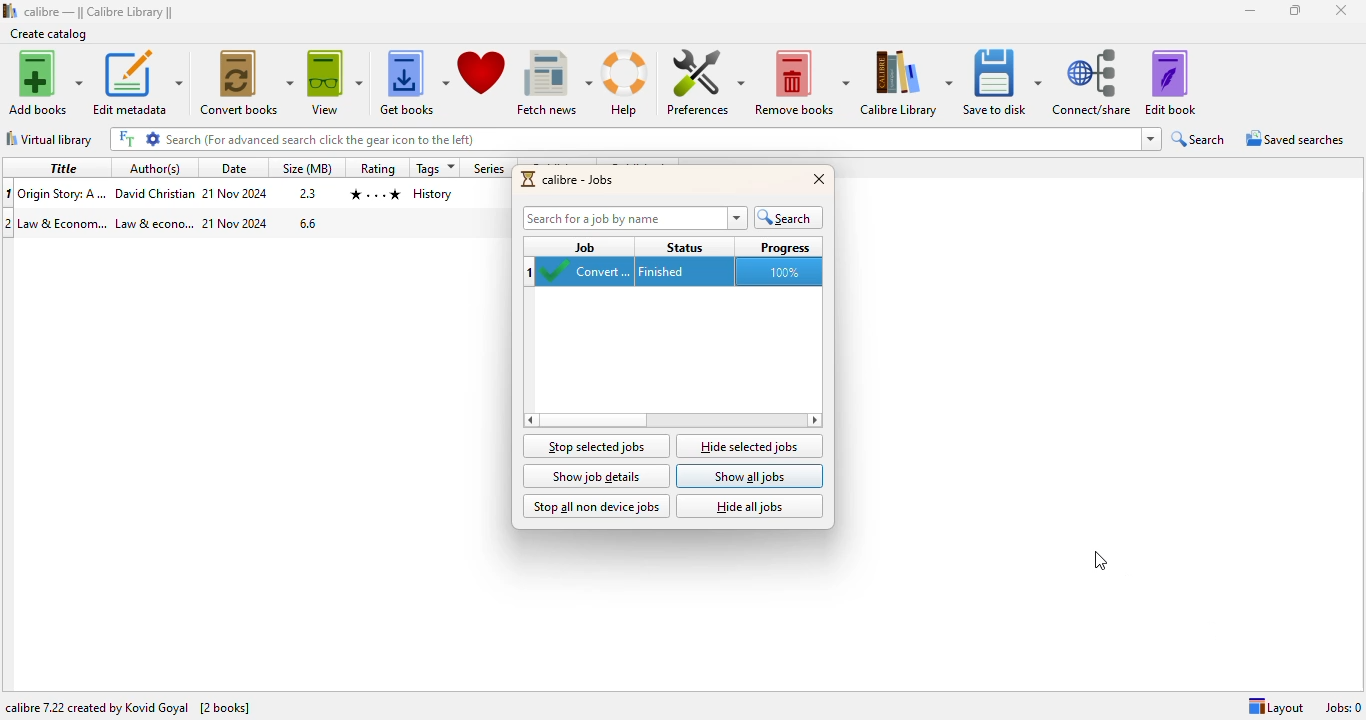 The height and width of the screenshot is (720, 1366). Describe the element at coordinates (483, 74) in the screenshot. I see `donate to support calibre` at that location.